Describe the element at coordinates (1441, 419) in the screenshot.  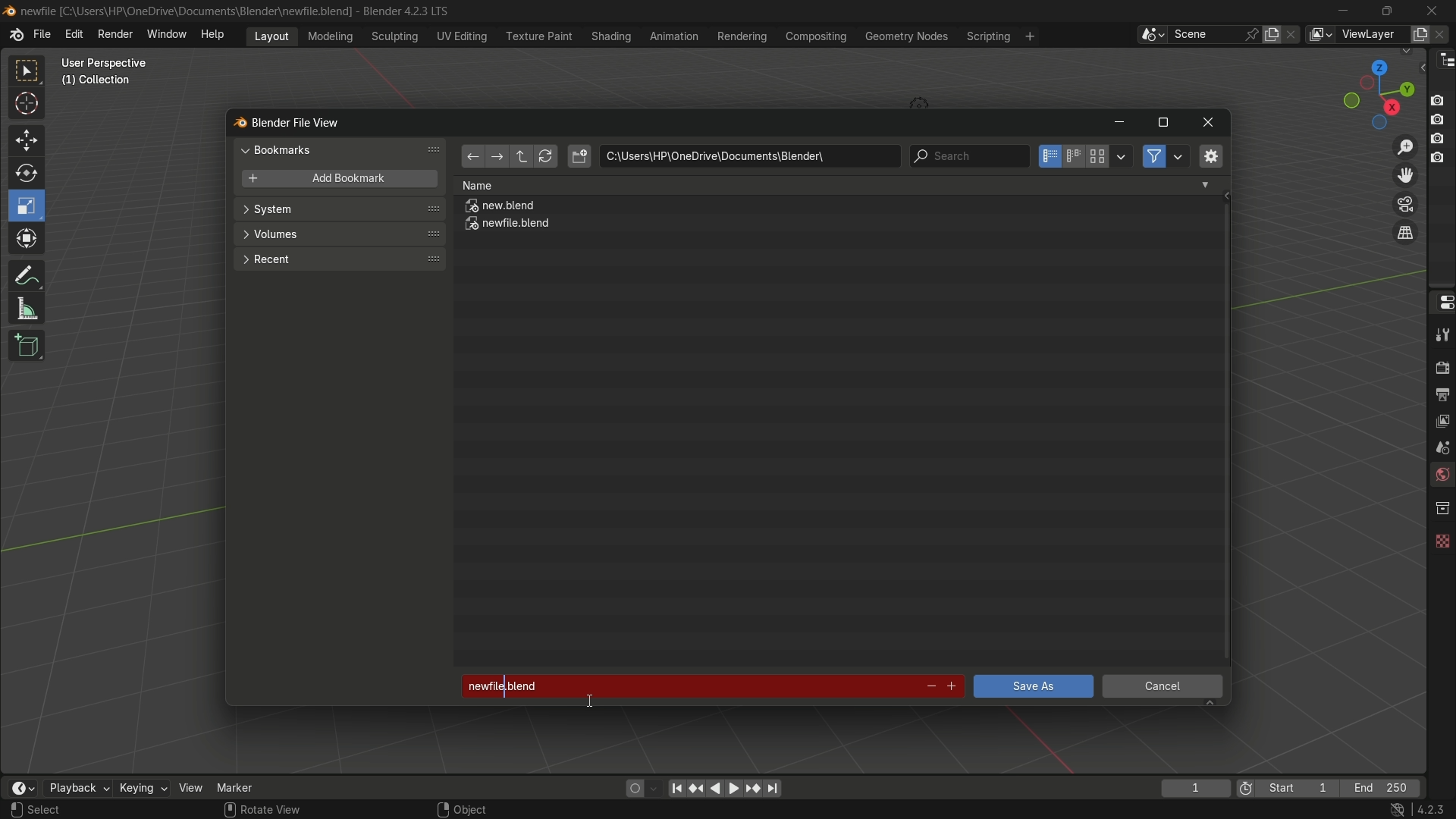
I see `view layer` at that location.